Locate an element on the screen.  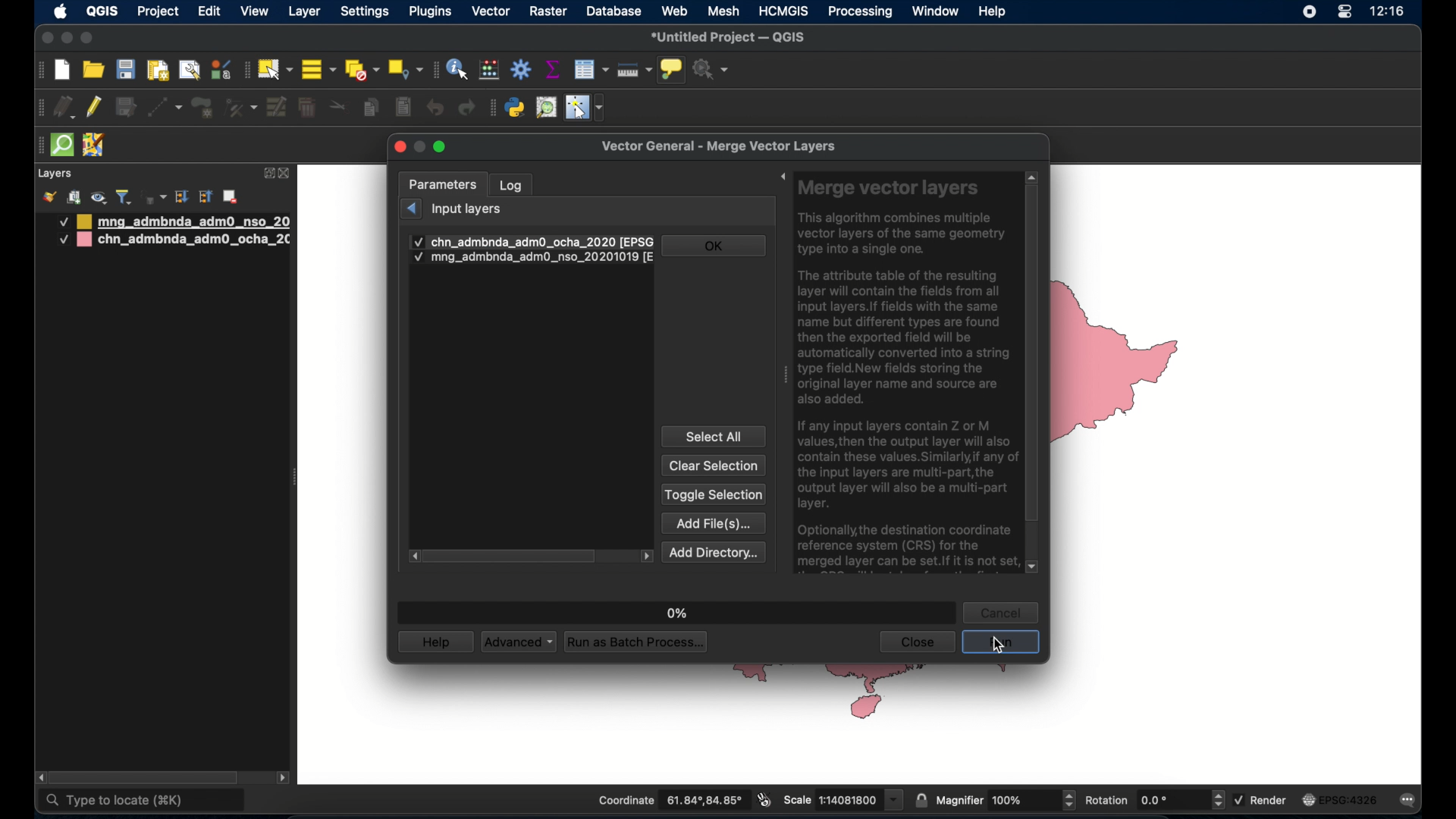
coordinate is located at coordinates (670, 801).